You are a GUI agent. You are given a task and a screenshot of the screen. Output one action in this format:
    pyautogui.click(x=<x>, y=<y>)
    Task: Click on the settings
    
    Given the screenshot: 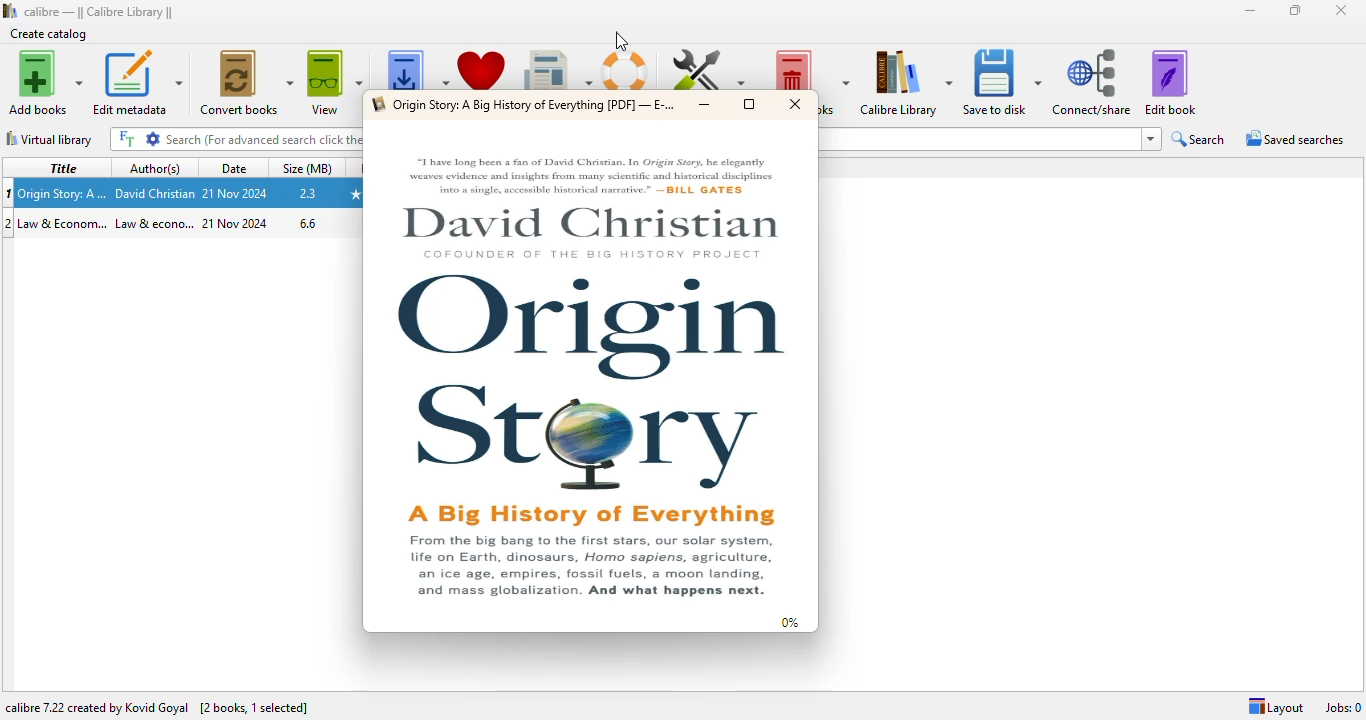 What is the action you would take?
    pyautogui.click(x=153, y=139)
    